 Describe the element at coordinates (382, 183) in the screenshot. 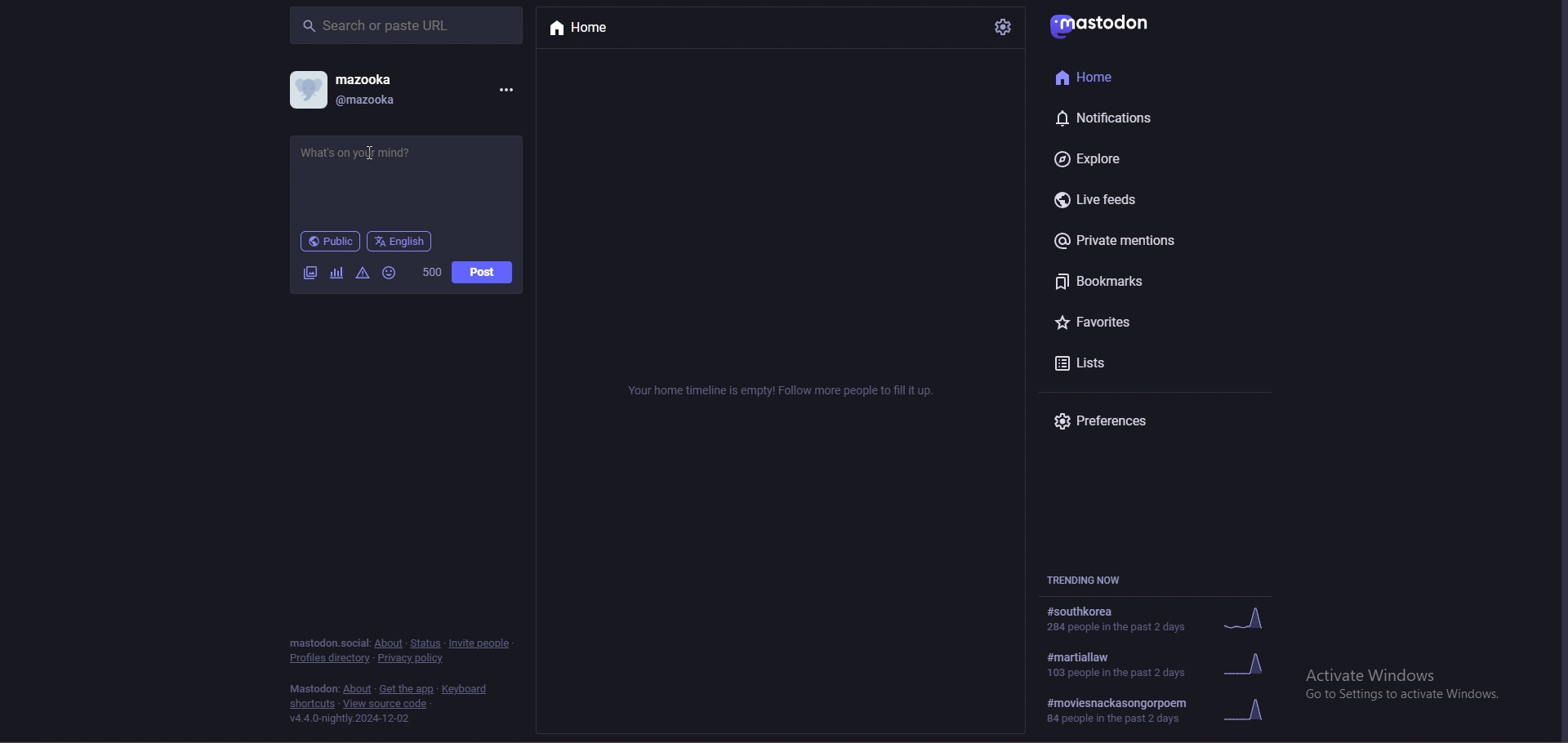

I see `status update` at that location.